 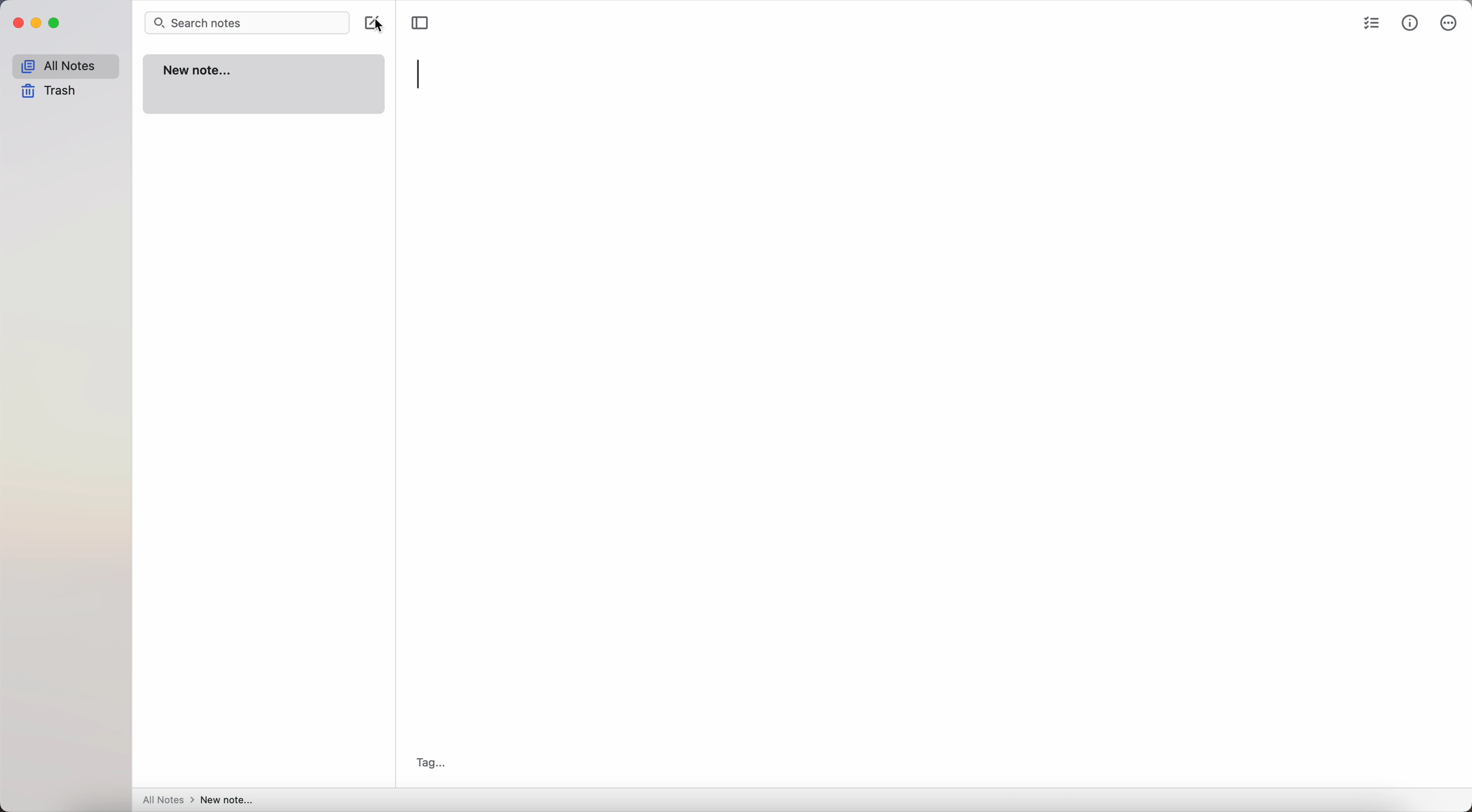 I want to click on toggle sidebar, so click(x=421, y=23).